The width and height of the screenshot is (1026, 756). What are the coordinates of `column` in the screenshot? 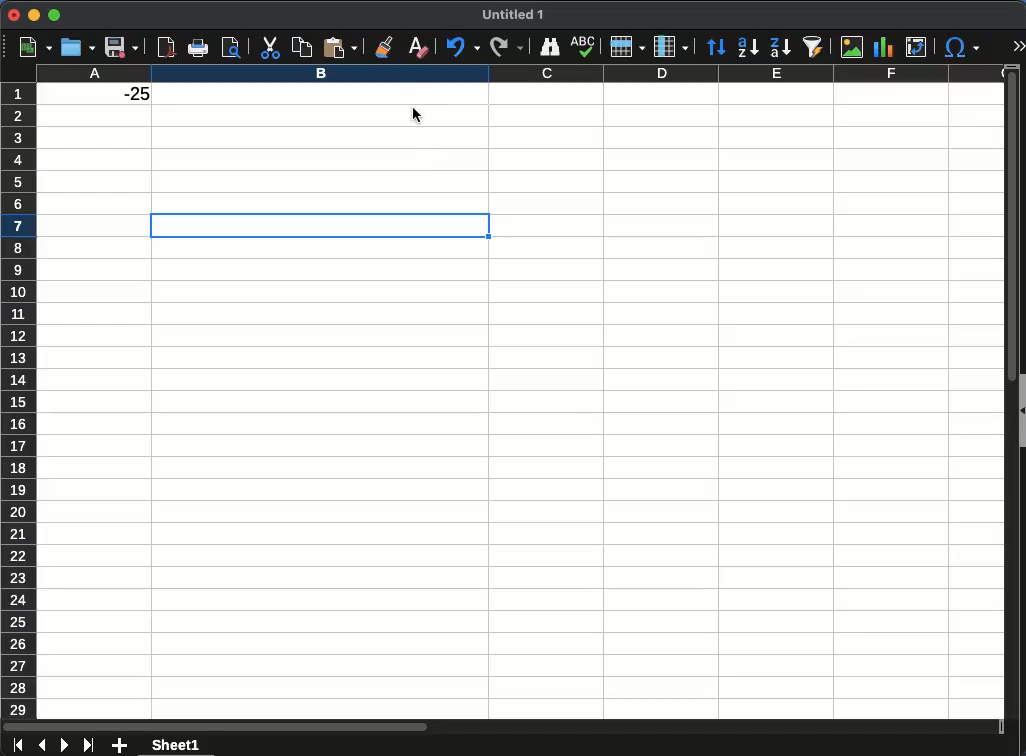 It's located at (671, 45).